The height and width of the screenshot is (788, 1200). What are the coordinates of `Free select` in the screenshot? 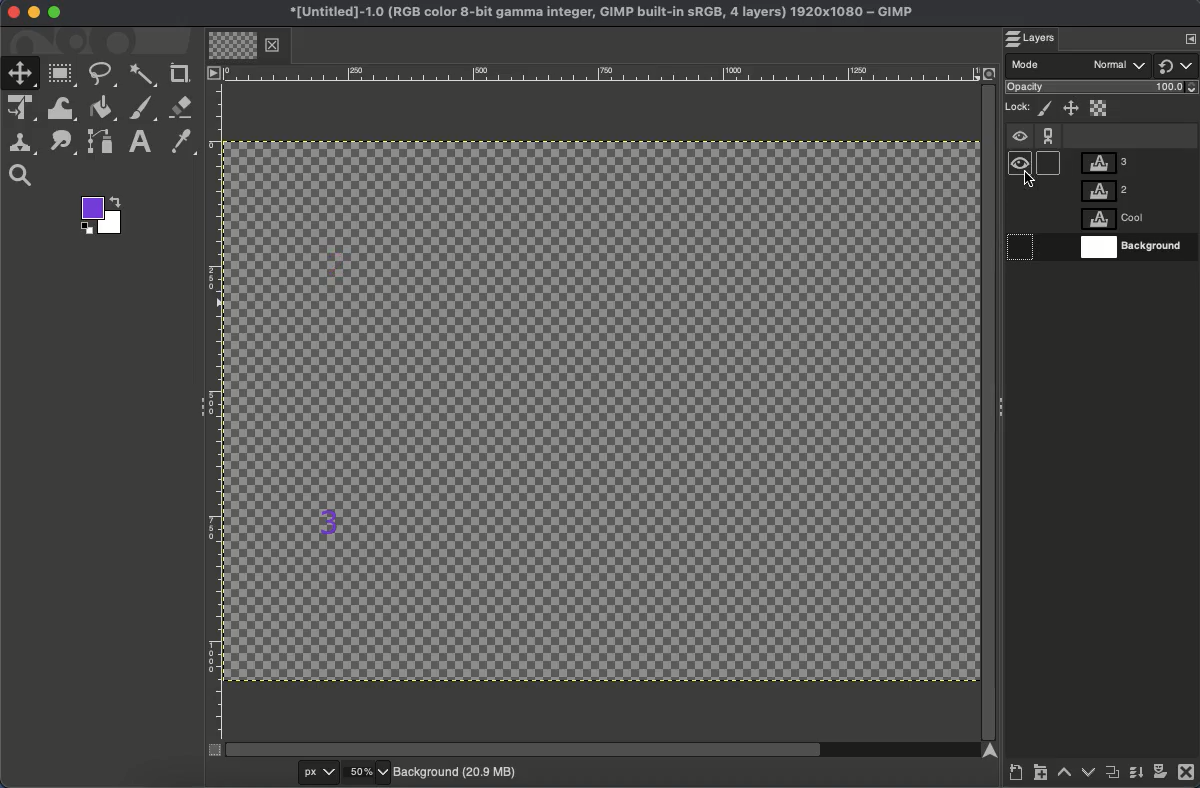 It's located at (106, 74).